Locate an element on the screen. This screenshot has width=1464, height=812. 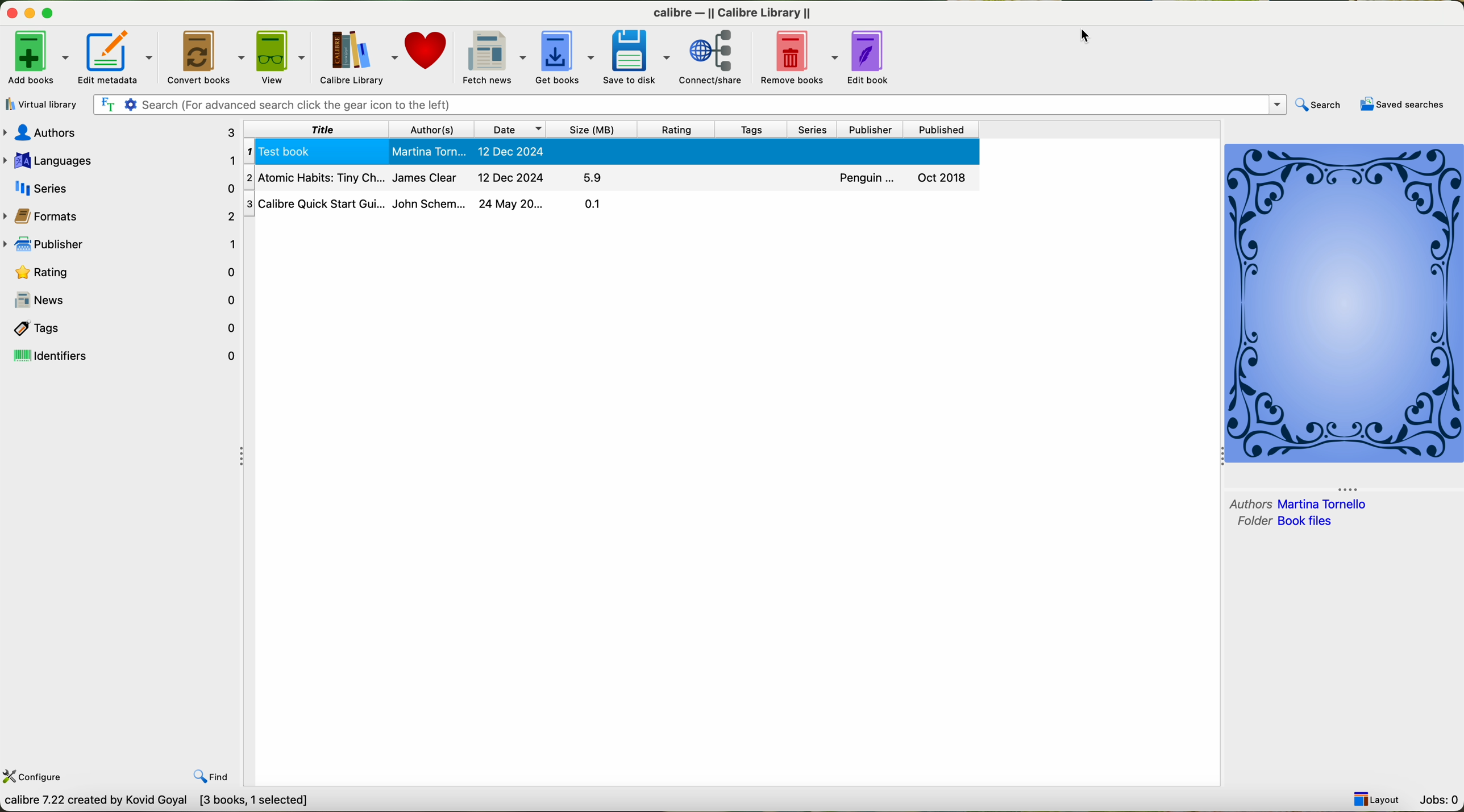
edit metadata is located at coordinates (117, 57).